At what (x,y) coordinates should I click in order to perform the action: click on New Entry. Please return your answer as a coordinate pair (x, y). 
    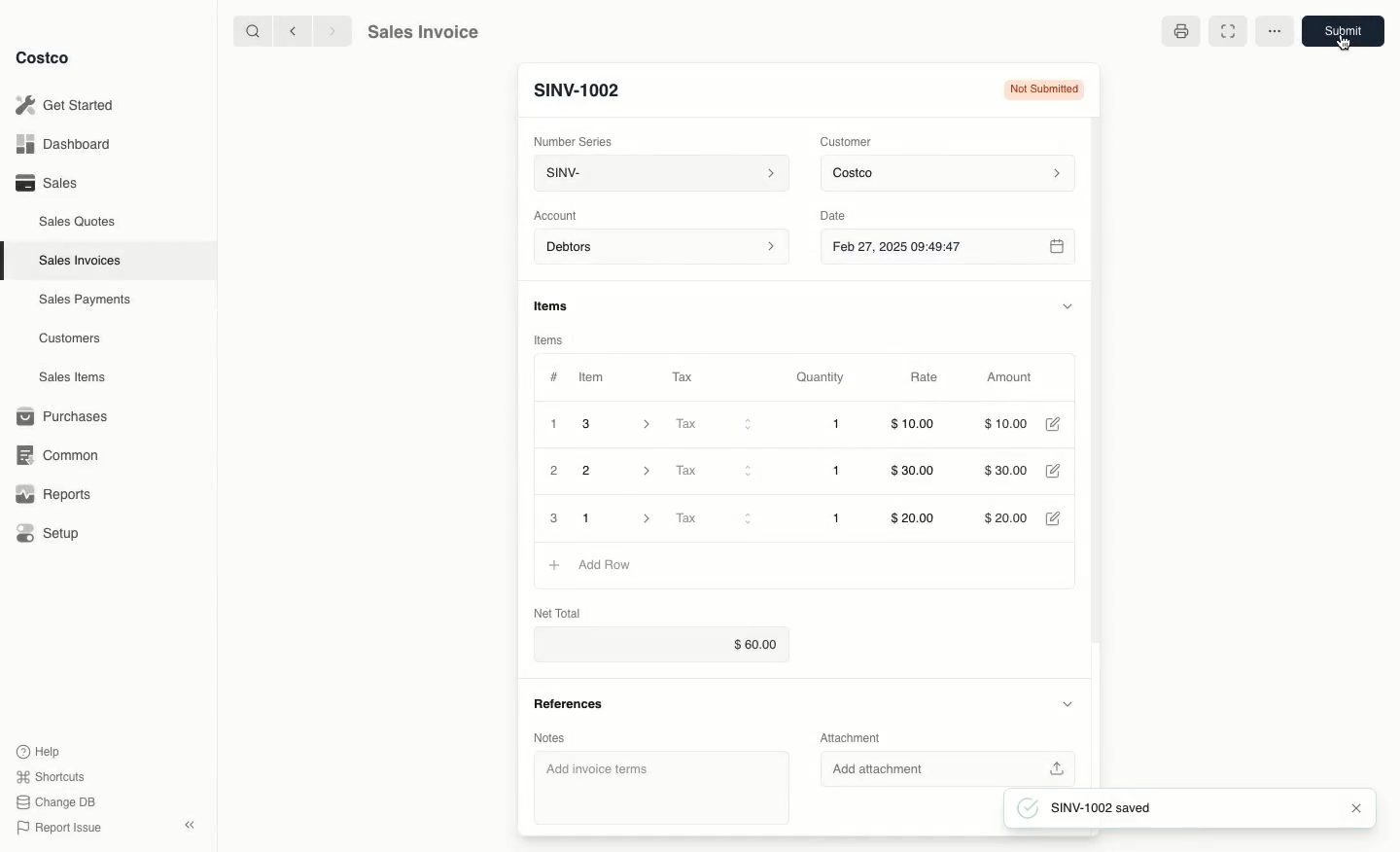
    Looking at the image, I should click on (577, 90).